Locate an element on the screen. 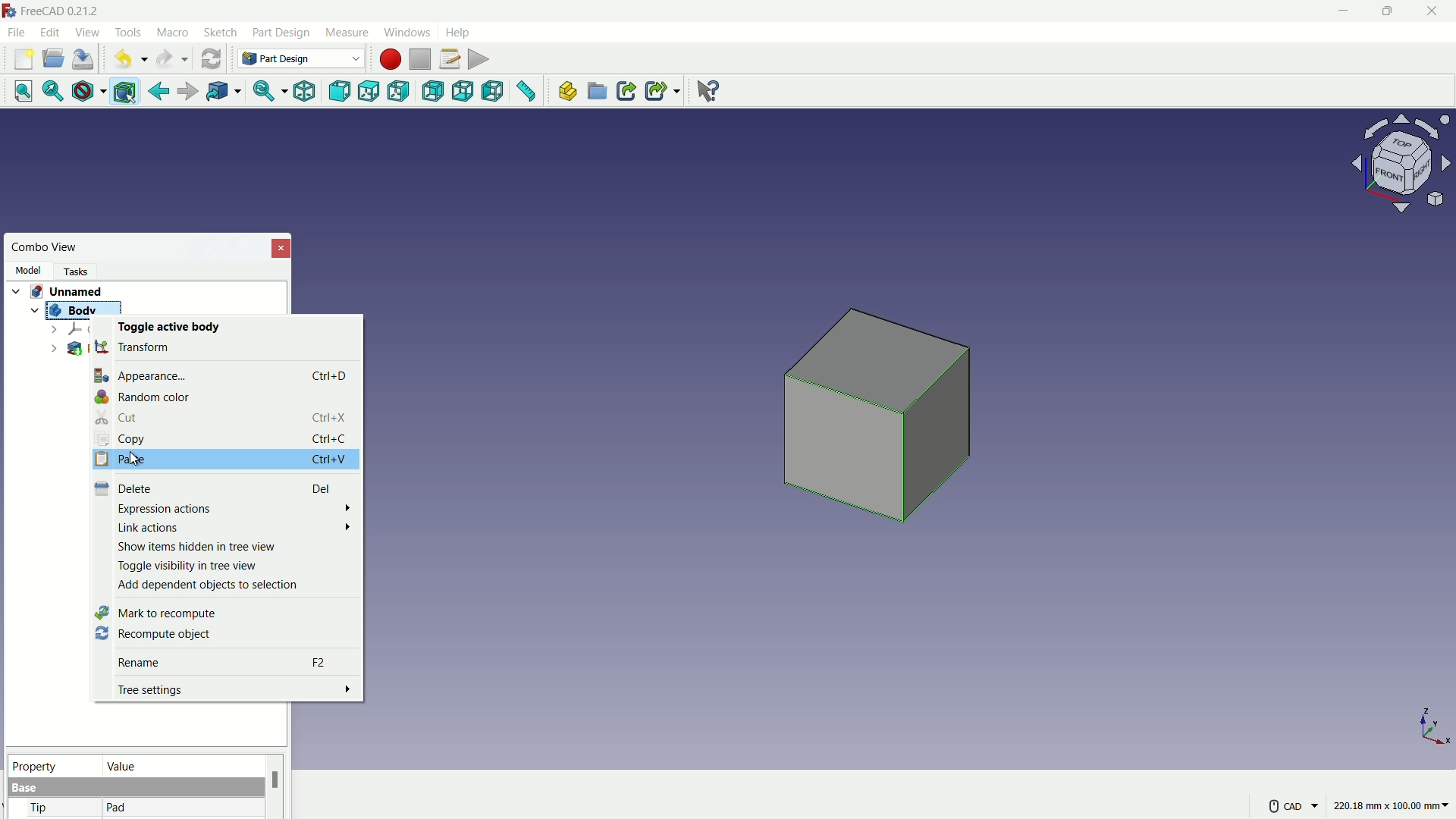 The image size is (1456, 819). part design is located at coordinates (281, 33).